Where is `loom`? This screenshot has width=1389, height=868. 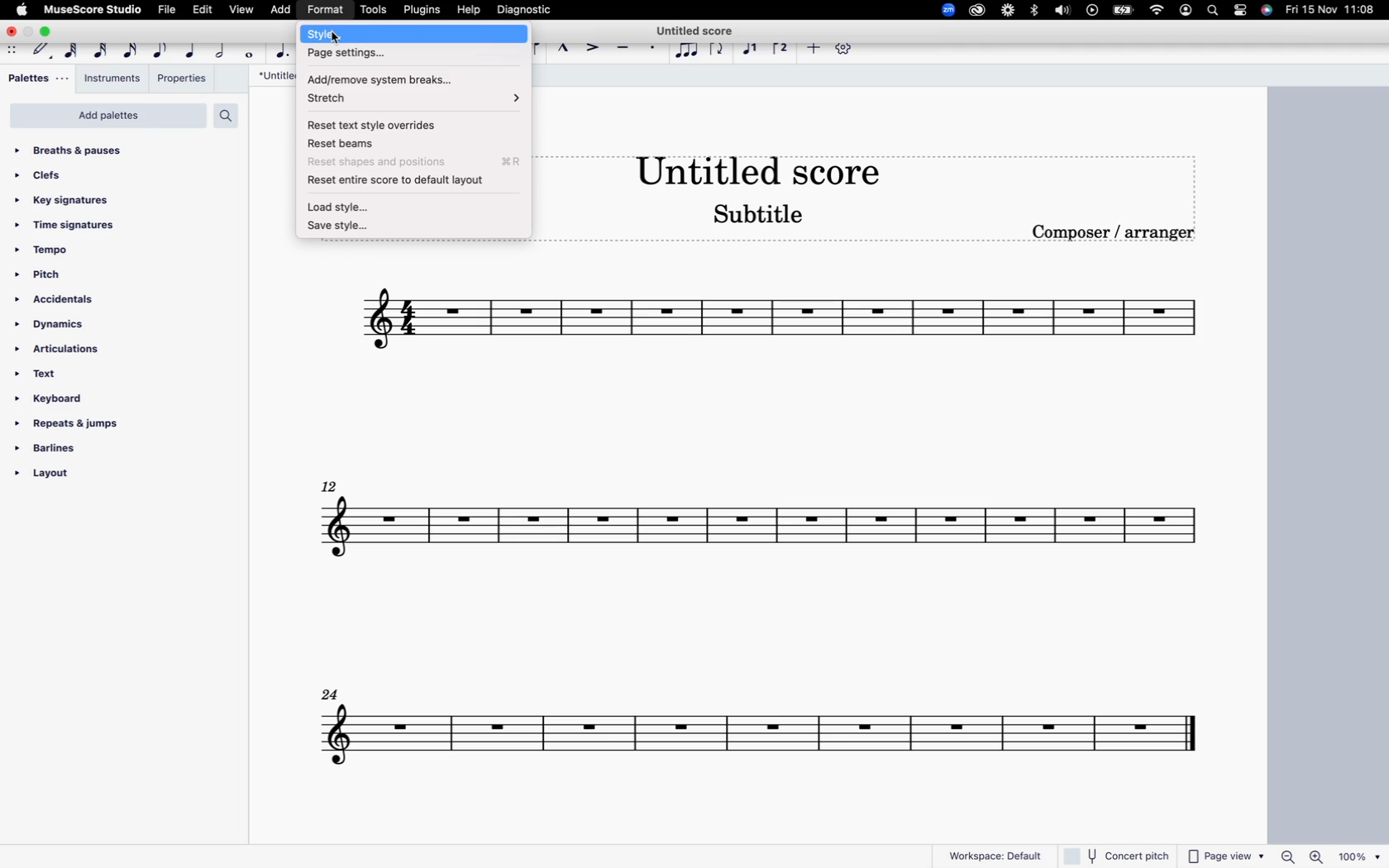
loom is located at coordinates (1007, 12).